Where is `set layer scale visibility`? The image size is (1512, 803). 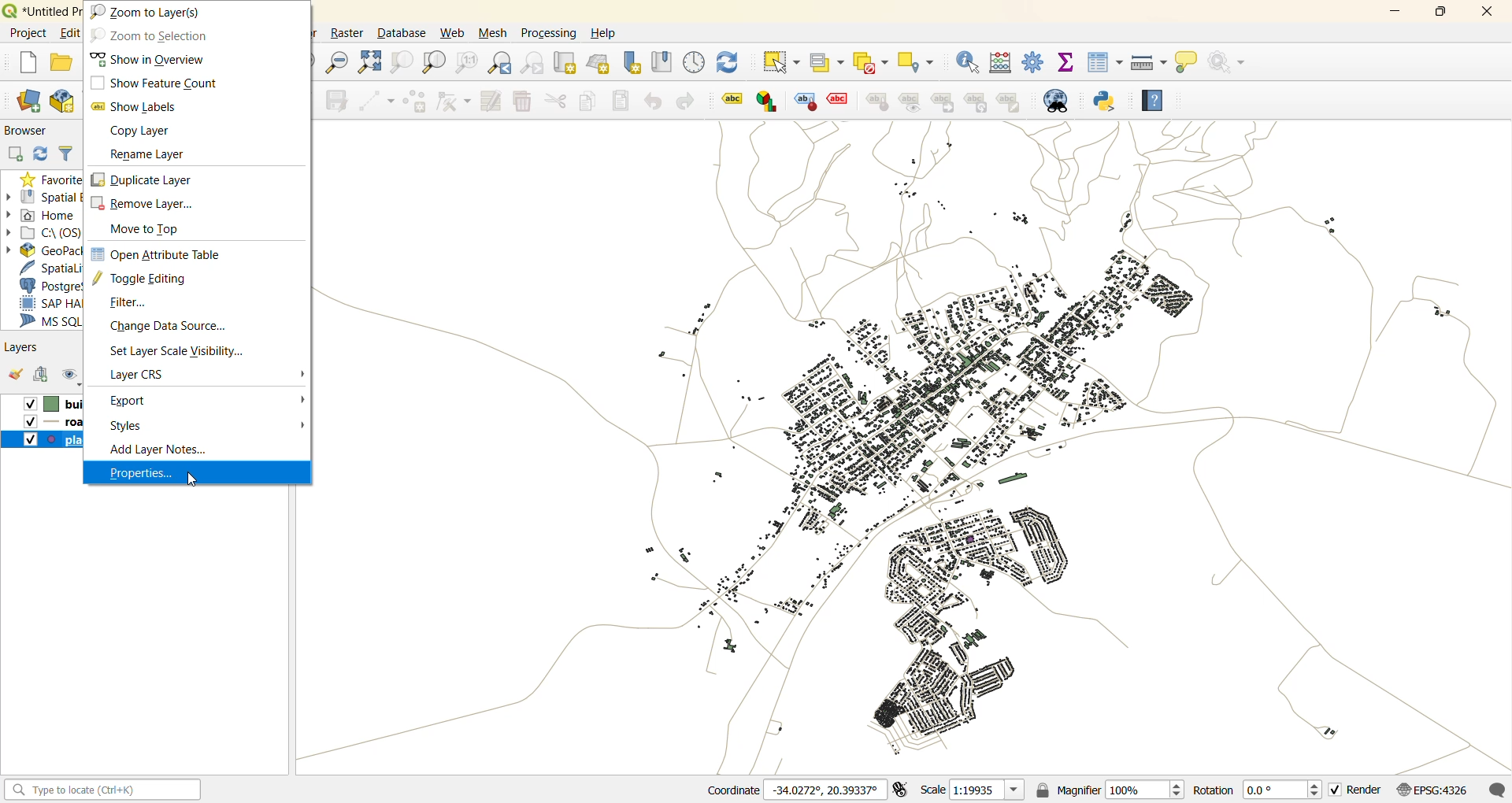 set layer scale visibility is located at coordinates (187, 350).